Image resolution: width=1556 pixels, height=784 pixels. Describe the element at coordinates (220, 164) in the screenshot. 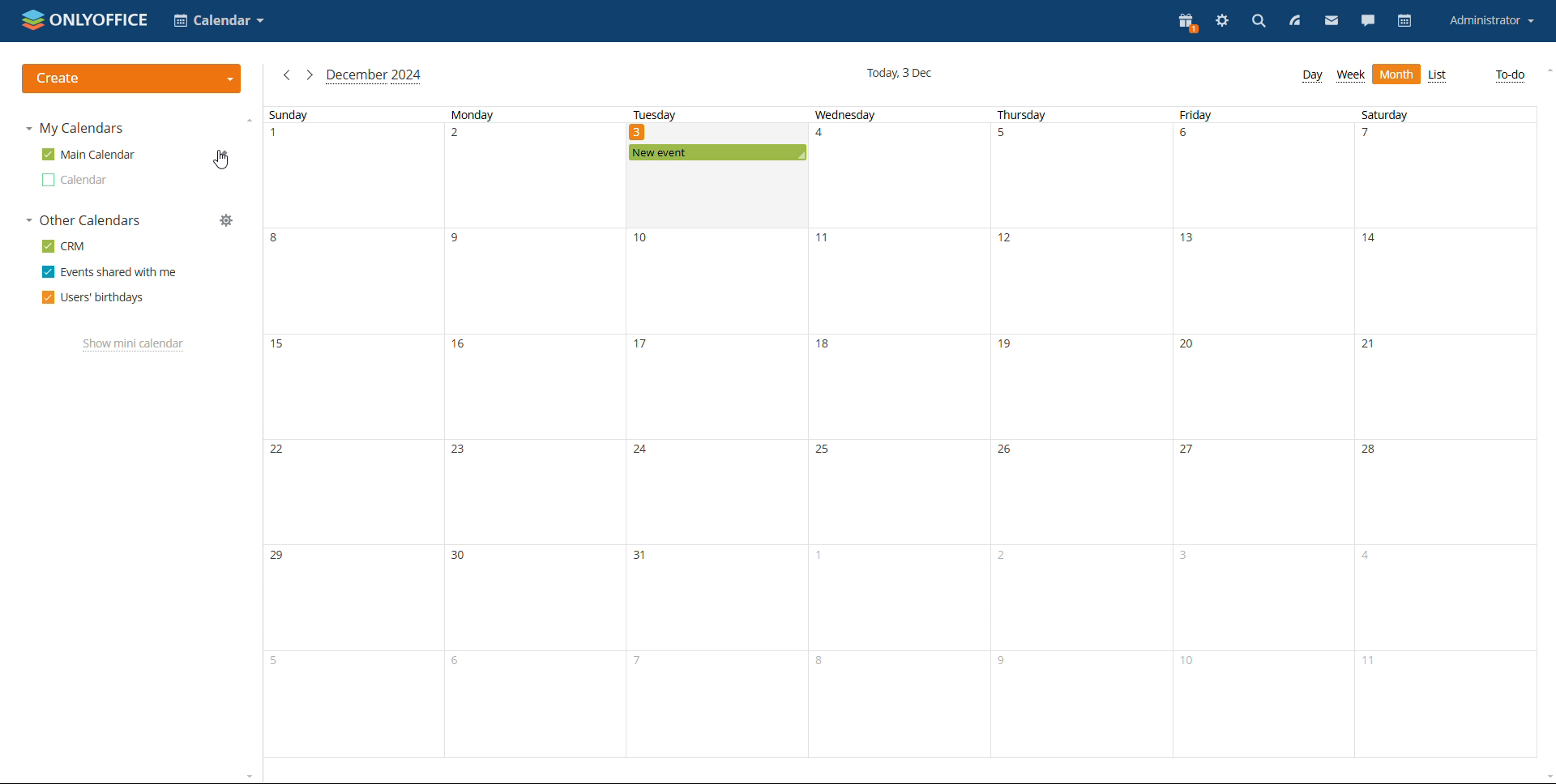

I see `cursor` at that location.